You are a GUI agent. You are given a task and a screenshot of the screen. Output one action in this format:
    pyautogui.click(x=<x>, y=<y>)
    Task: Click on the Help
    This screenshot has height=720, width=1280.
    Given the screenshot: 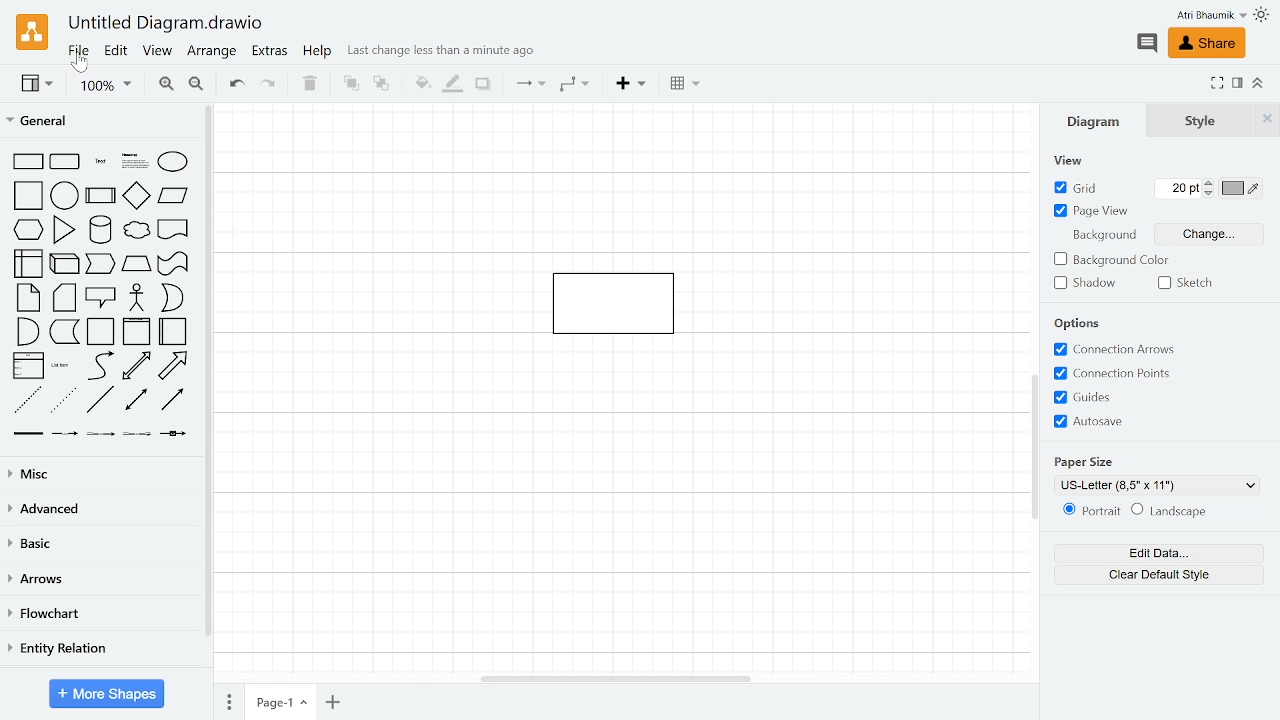 What is the action you would take?
    pyautogui.click(x=320, y=53)
    